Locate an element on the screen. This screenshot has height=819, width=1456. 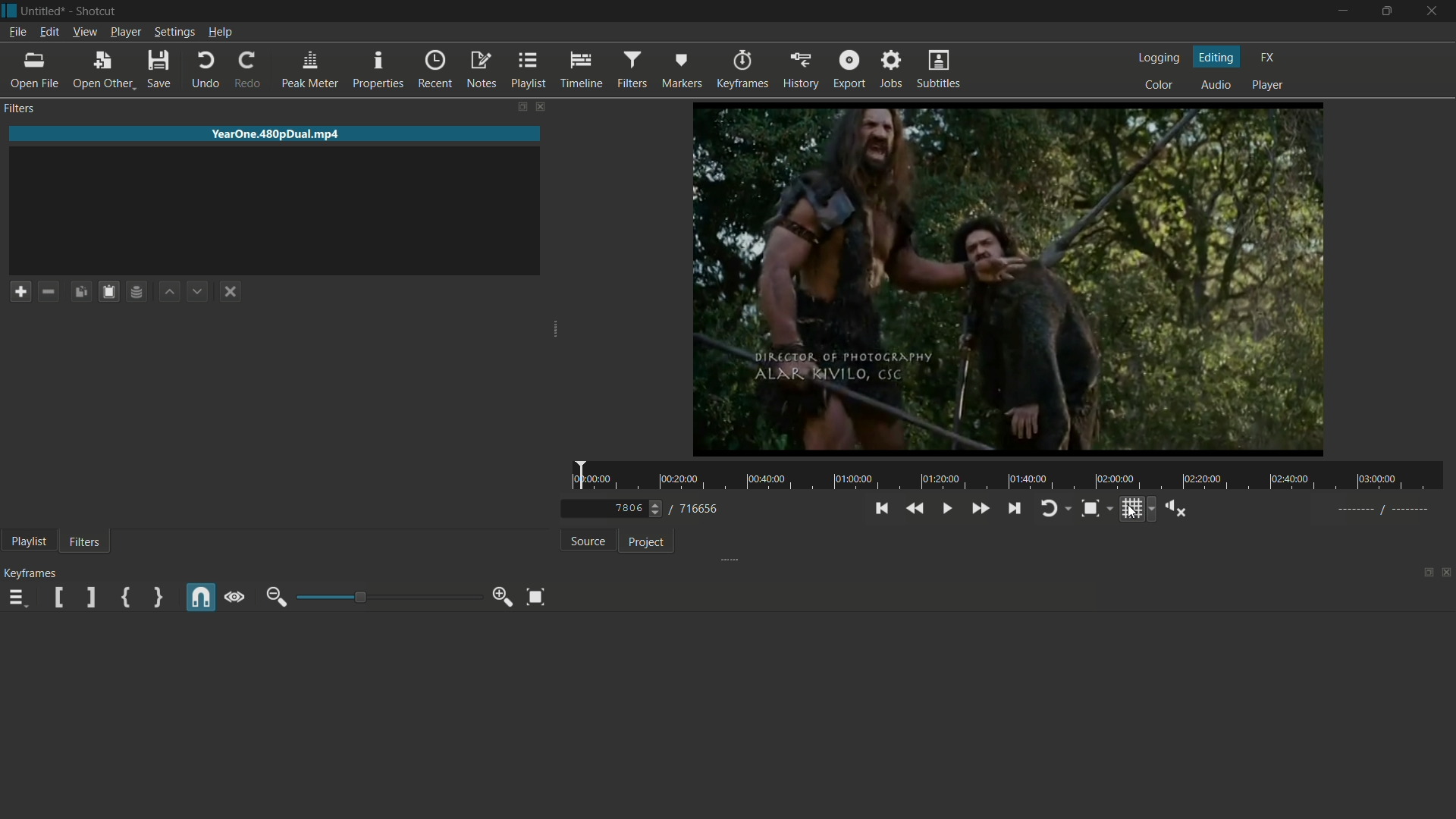
toggle player looping is located at coordinates (1050, 508).